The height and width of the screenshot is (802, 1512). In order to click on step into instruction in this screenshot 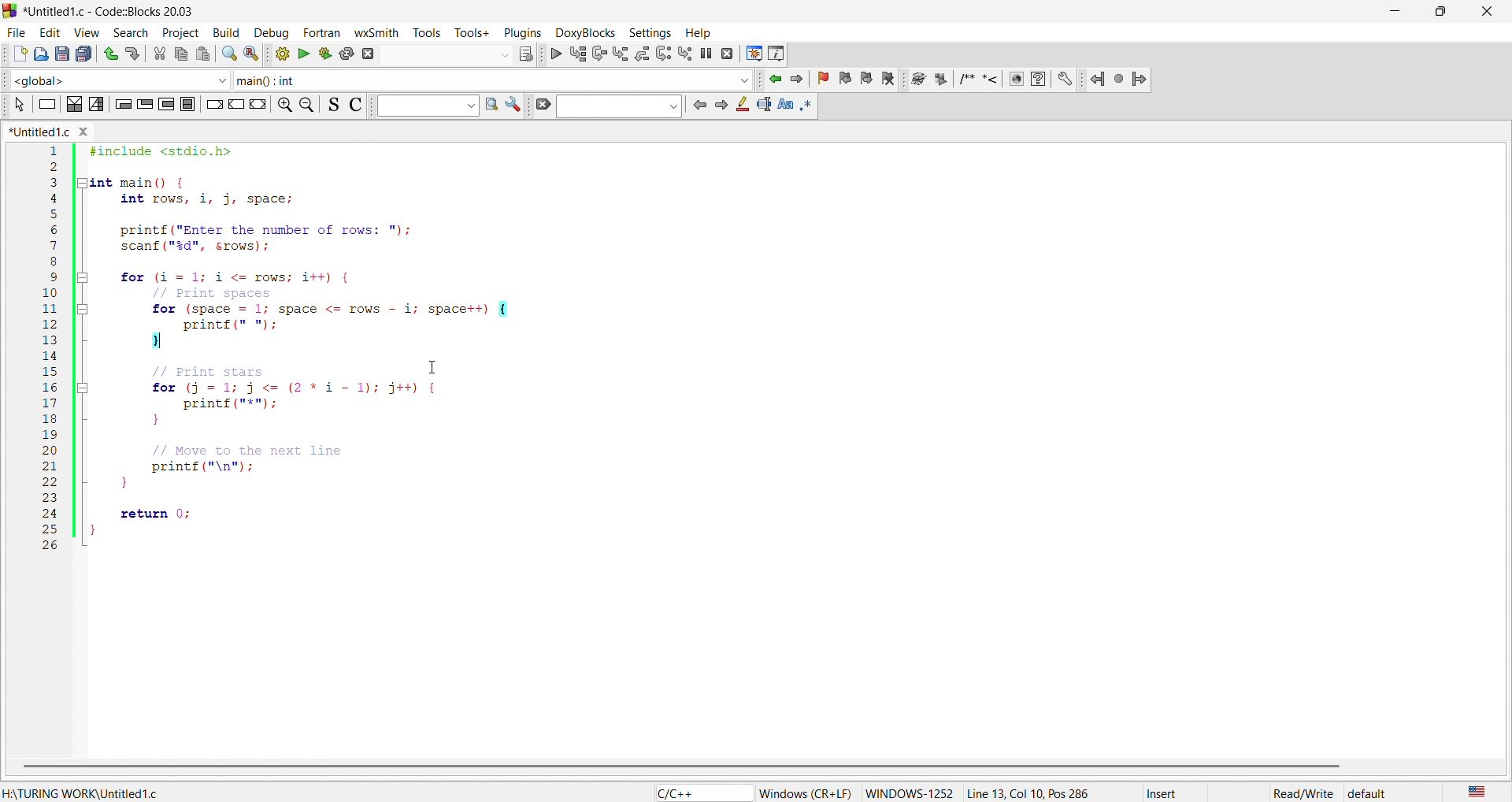, I will do `click(684, 54)`.